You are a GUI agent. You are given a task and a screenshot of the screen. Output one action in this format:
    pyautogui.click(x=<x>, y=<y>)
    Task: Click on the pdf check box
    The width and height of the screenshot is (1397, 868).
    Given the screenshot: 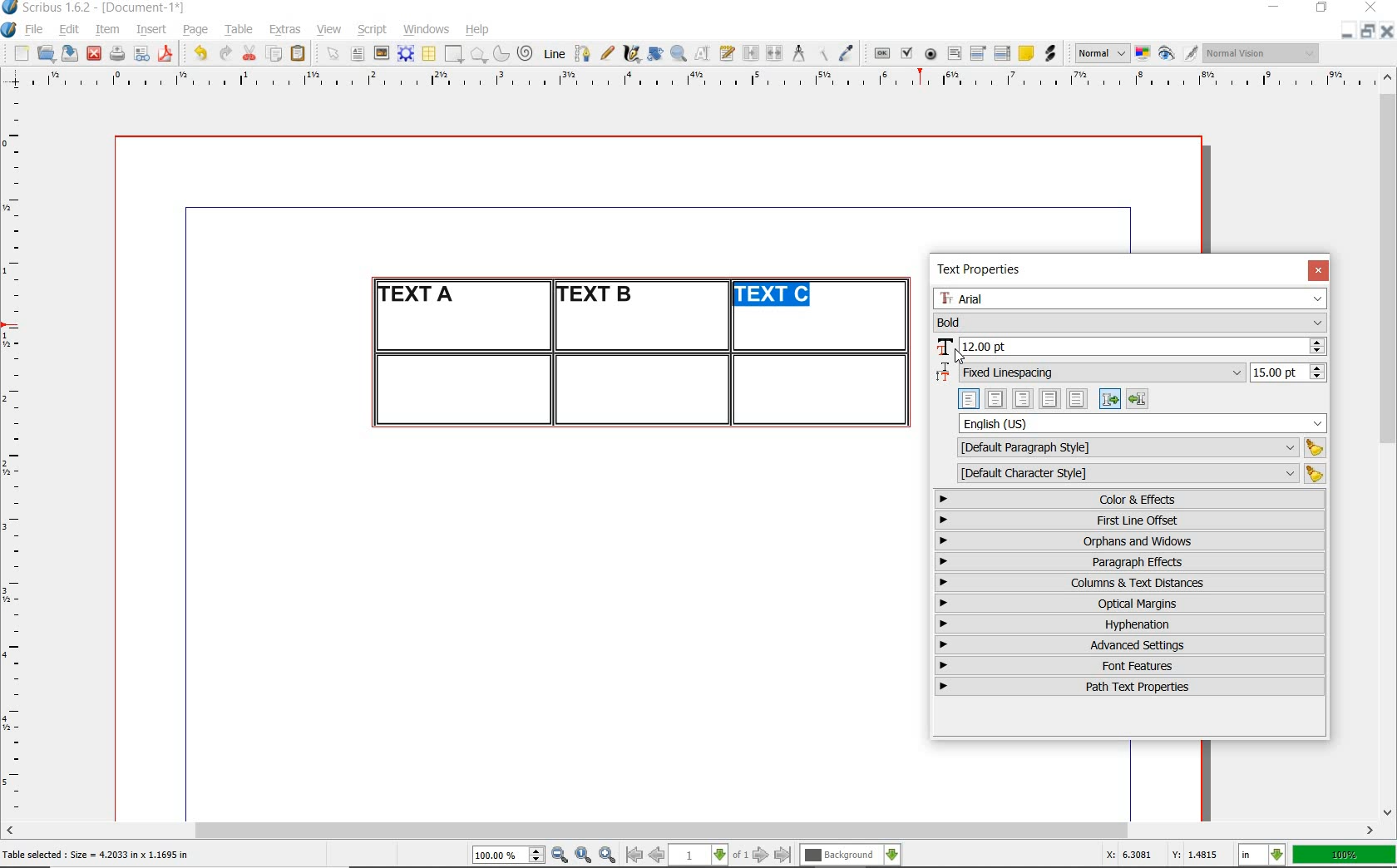 What is the action you would take?
    pyautogui.click(x=906, y=54)
    